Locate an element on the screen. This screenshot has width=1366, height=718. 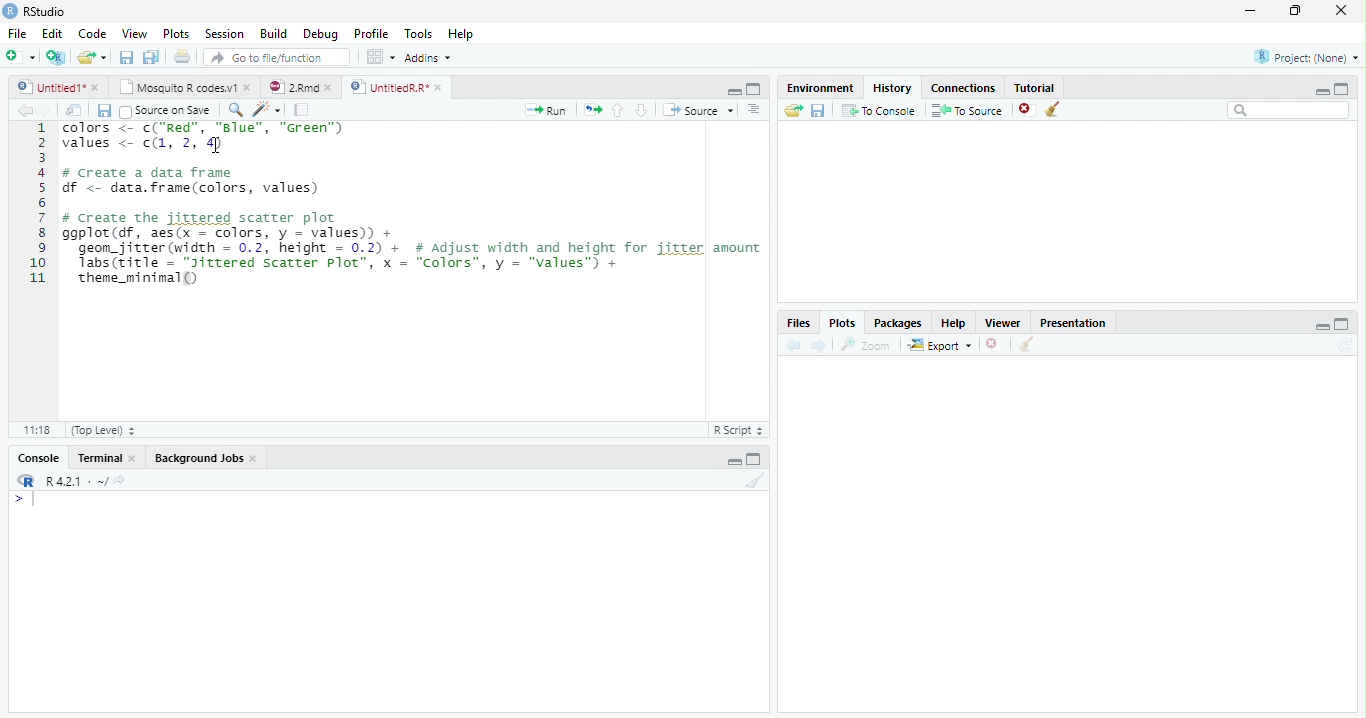
Zoom is located at coordinates (866, 345).